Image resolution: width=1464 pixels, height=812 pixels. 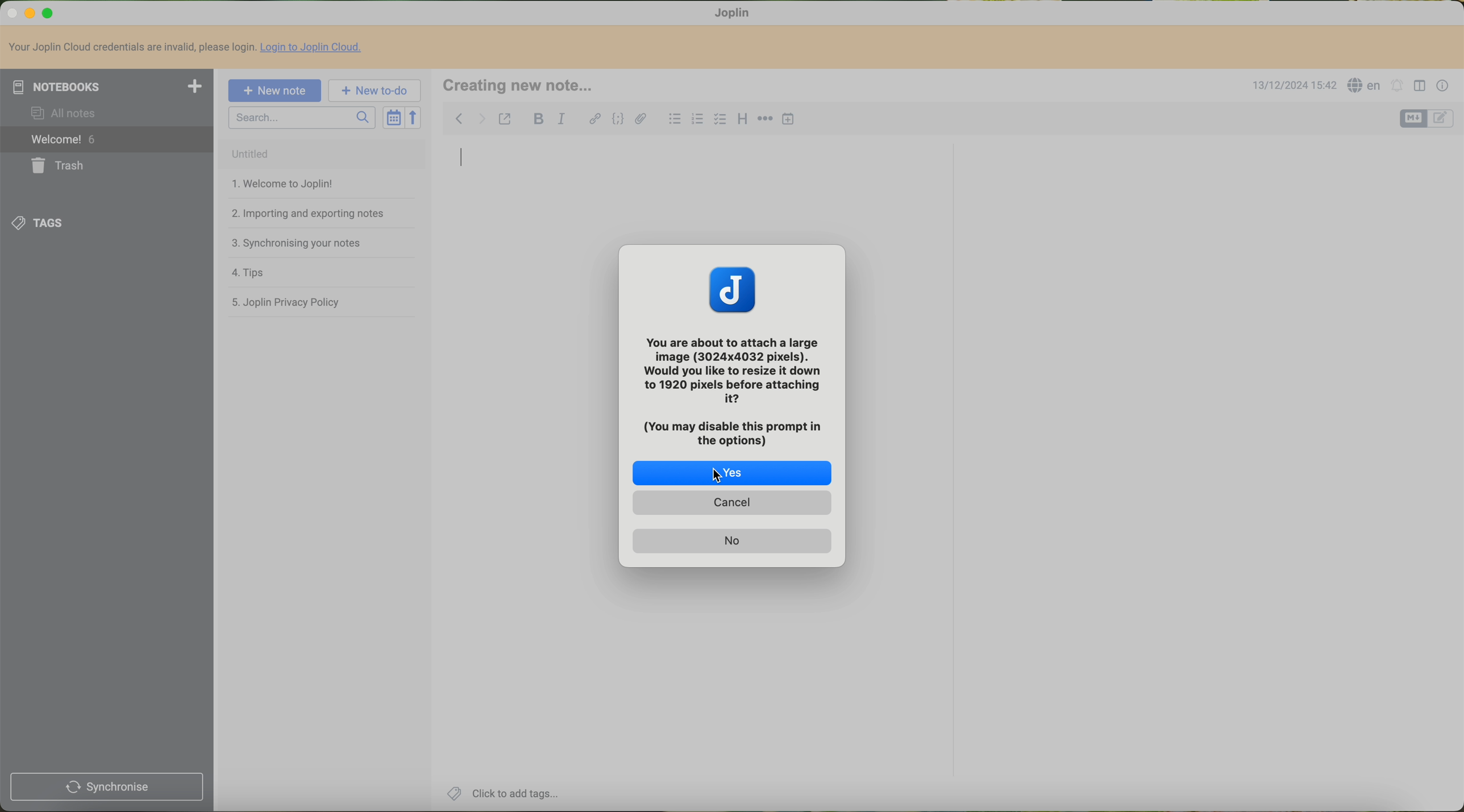 I want to click on hyperlink, so click(x=595, y=118).